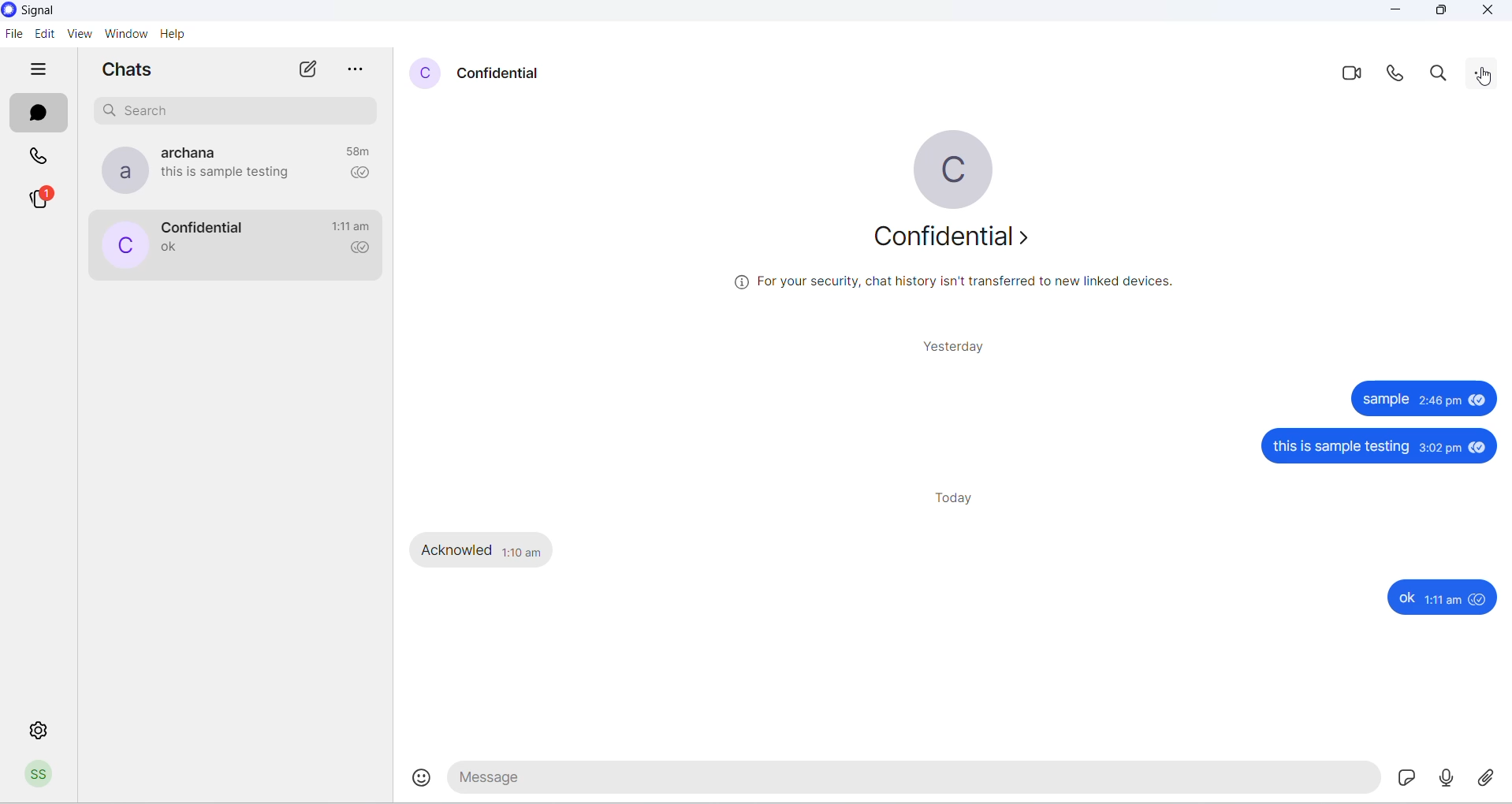 Image resolution: width=1512 pixels, height=804 pixels. What do you see at coordinates (1480, 449) in the screenshot?
I see `seen` at bounding box center [1480, 449].